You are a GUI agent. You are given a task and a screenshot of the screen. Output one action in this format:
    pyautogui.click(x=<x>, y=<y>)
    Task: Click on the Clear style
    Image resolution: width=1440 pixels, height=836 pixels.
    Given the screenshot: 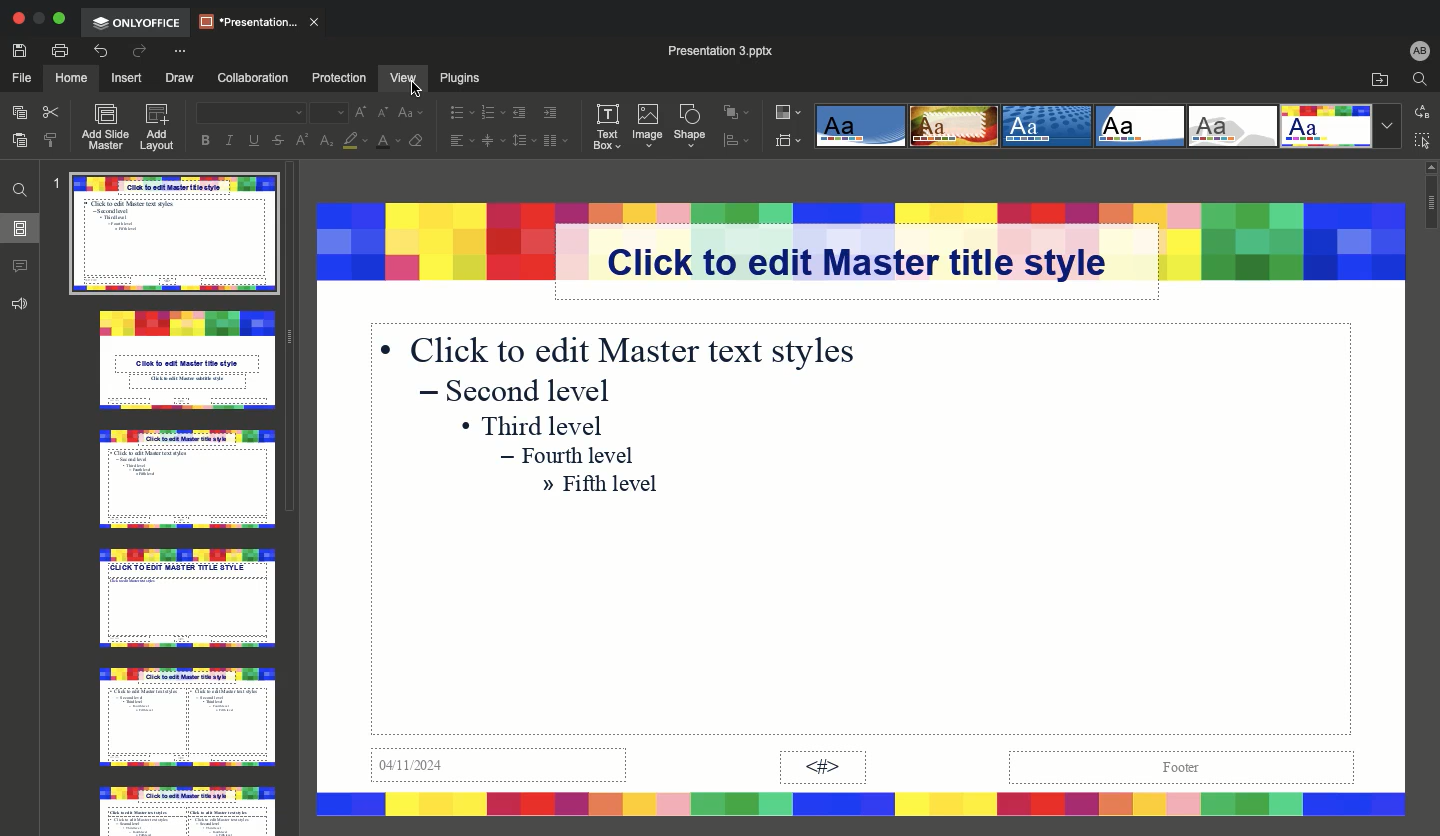 What is the action you would take?
    pyautogui.click(x=414, y=143)
    